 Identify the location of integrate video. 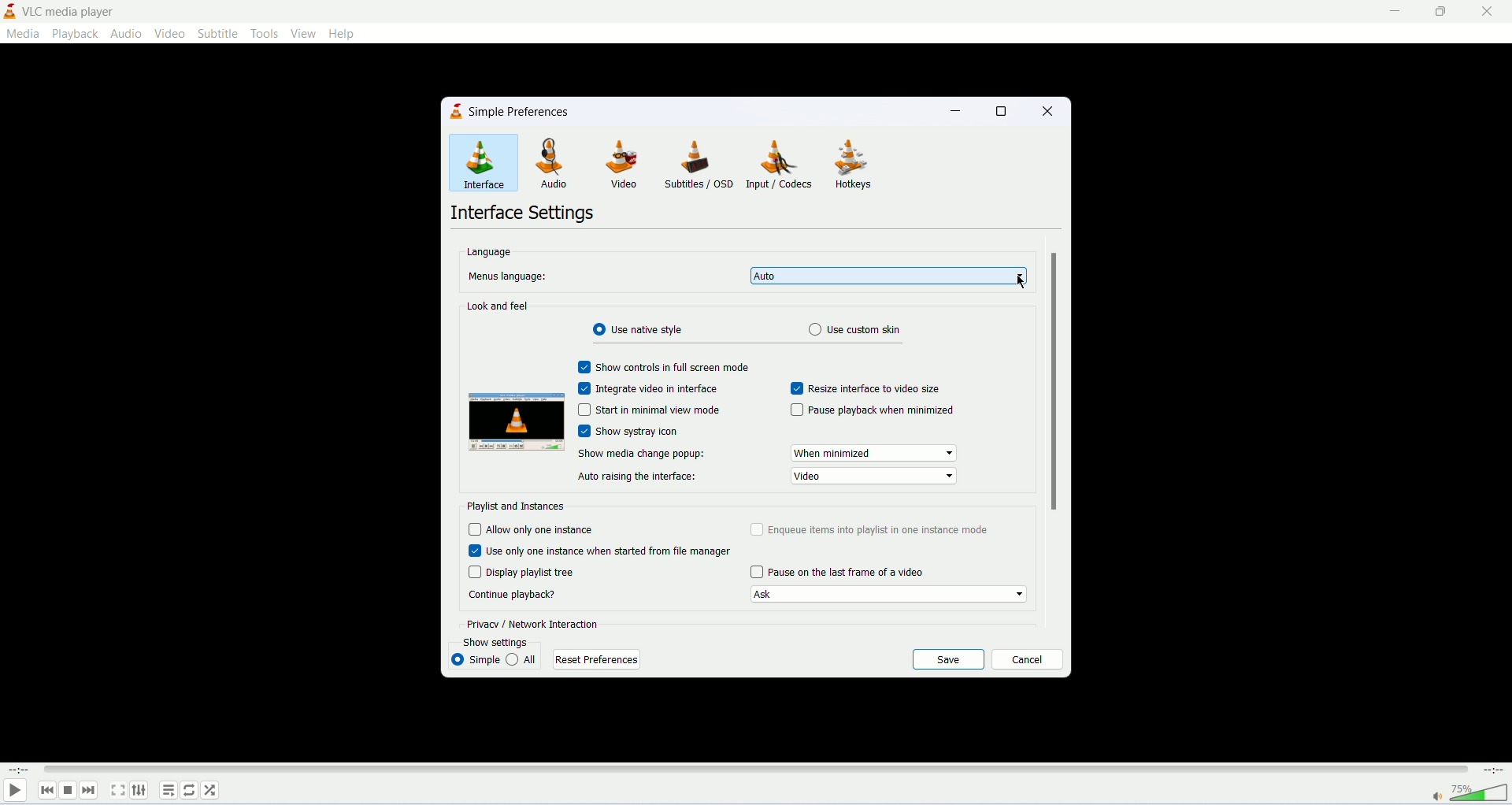
(651, 388).